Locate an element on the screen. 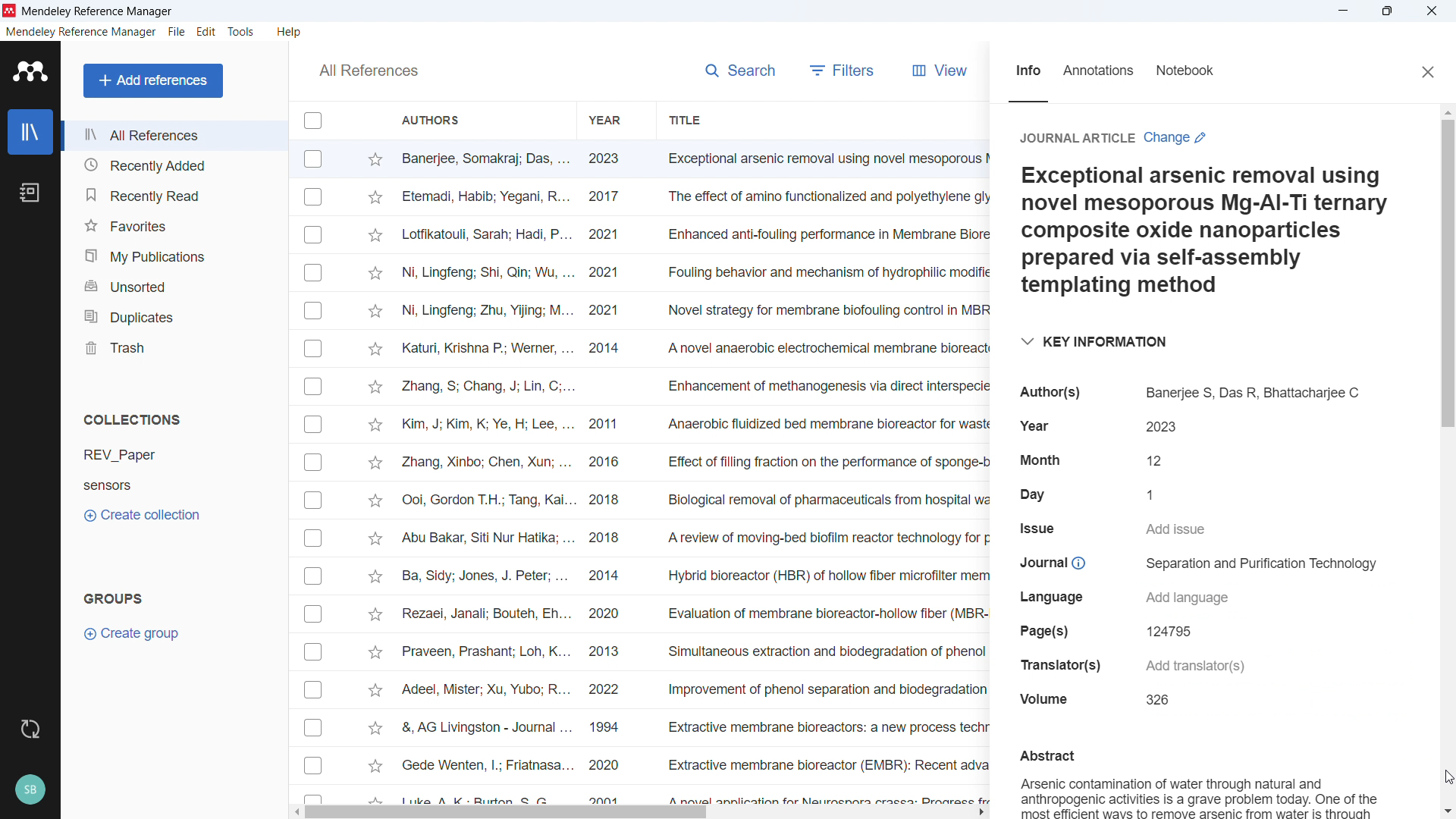  notebook is located at coordinates (30, 193).